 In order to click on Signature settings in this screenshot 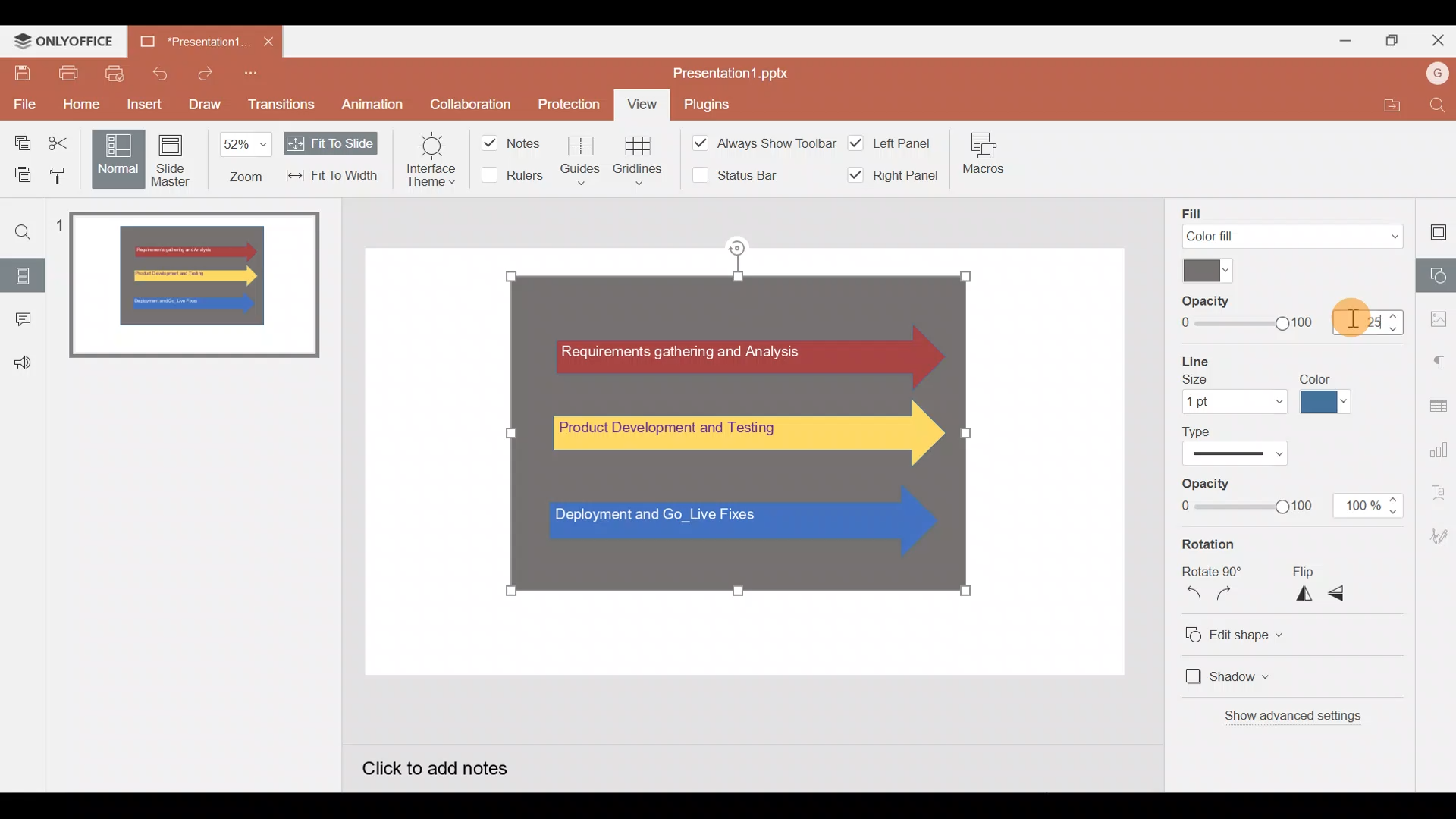, I will do `click(1437, 535)`.